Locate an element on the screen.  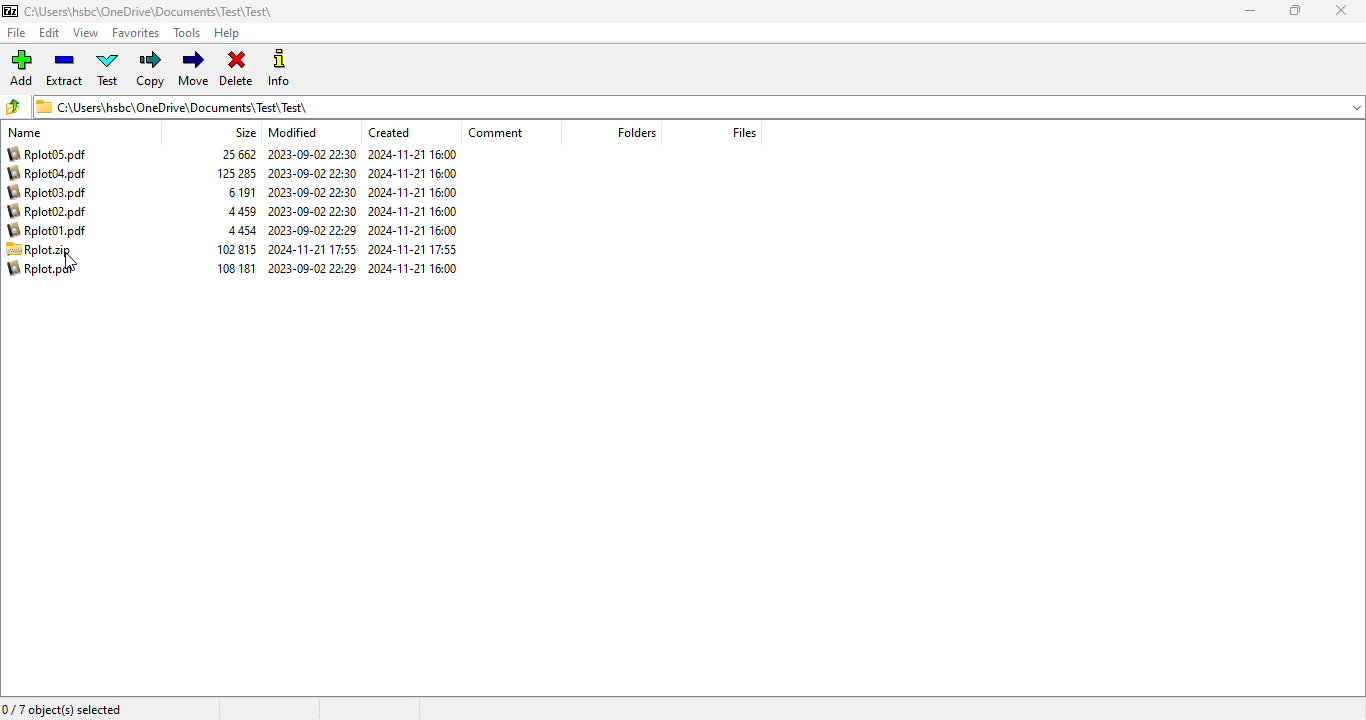
info is located at coordinates (279, 68).